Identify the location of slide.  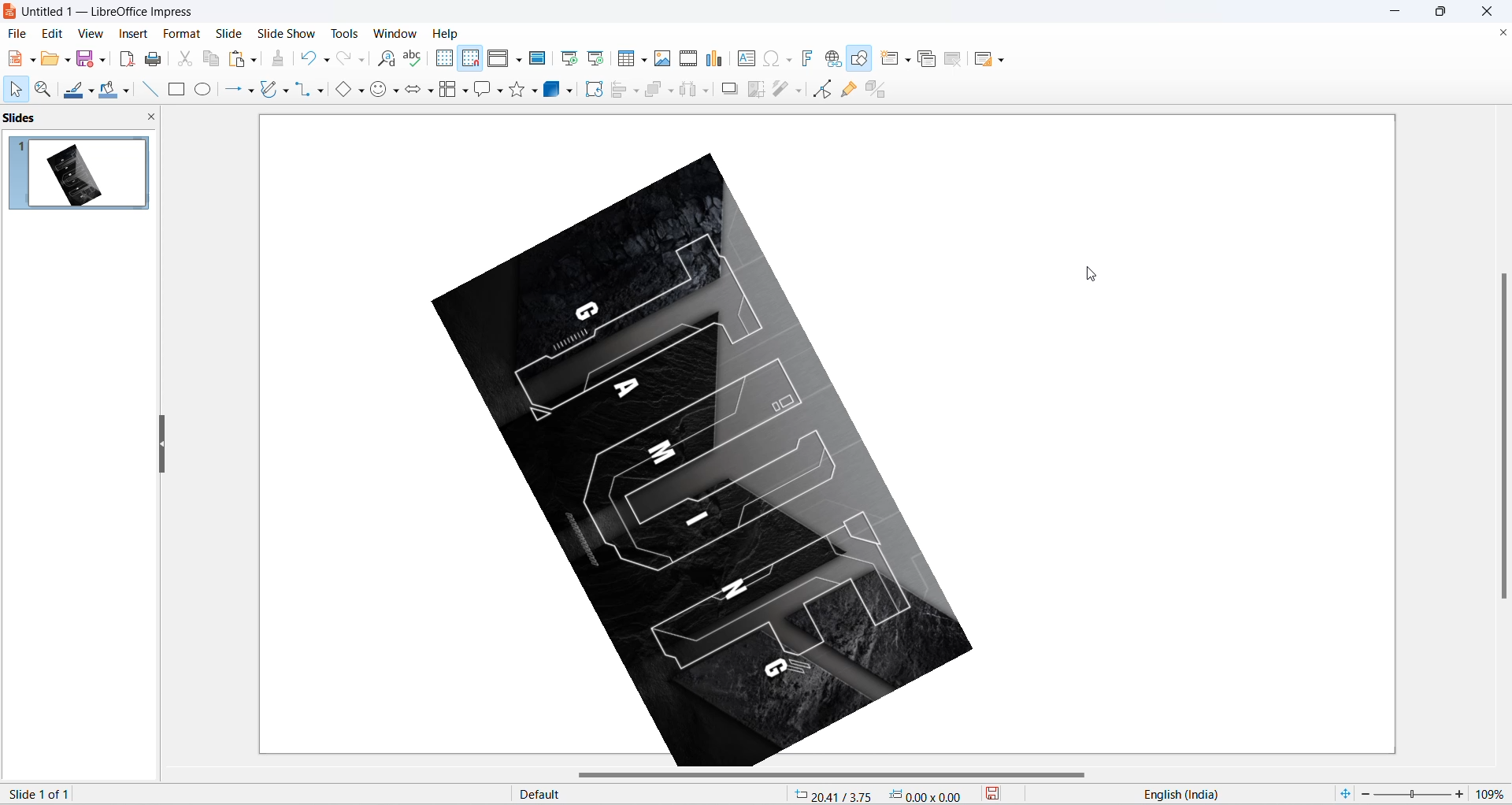
(229, 33).